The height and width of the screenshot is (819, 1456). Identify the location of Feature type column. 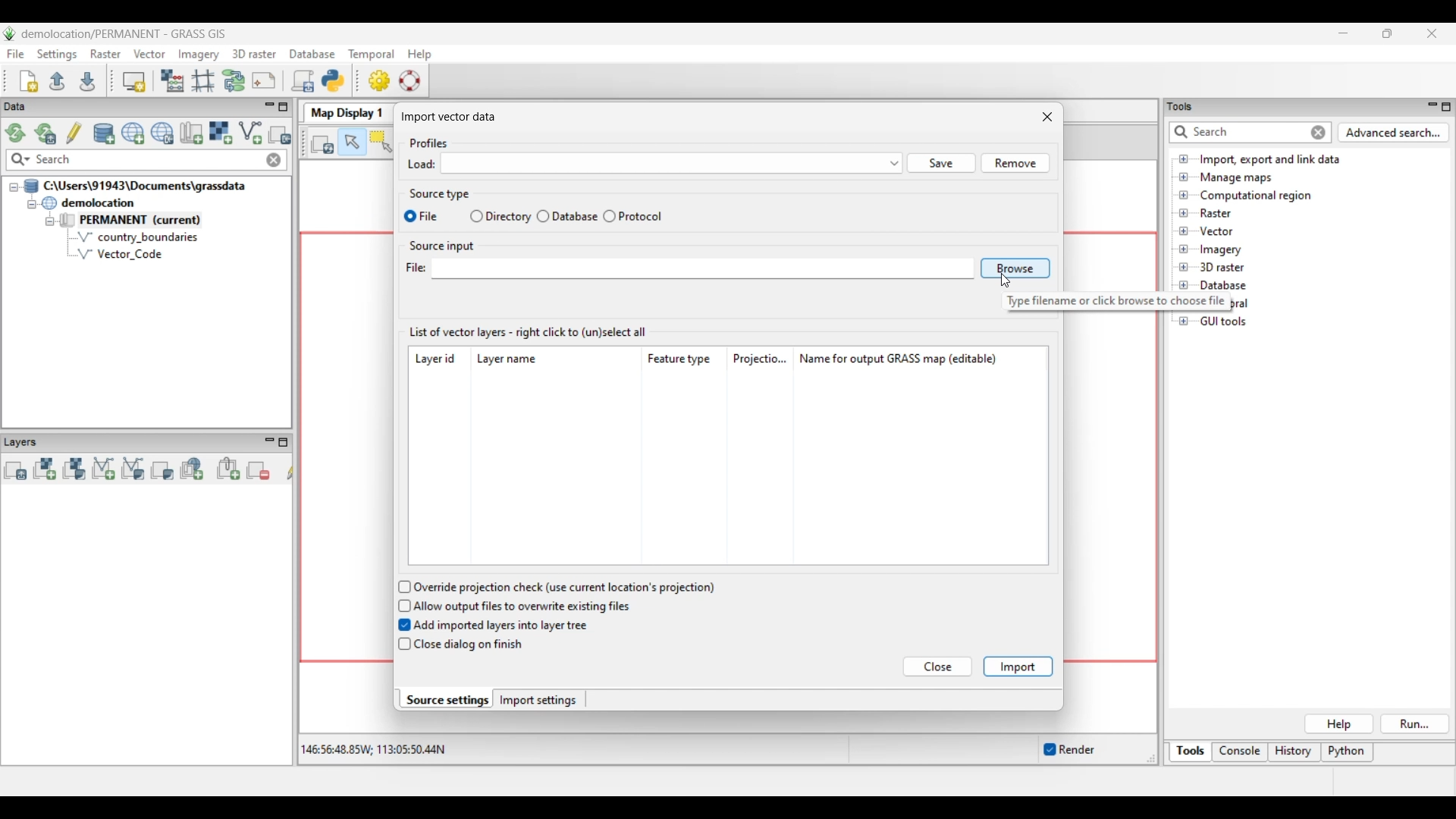
(679, 359).